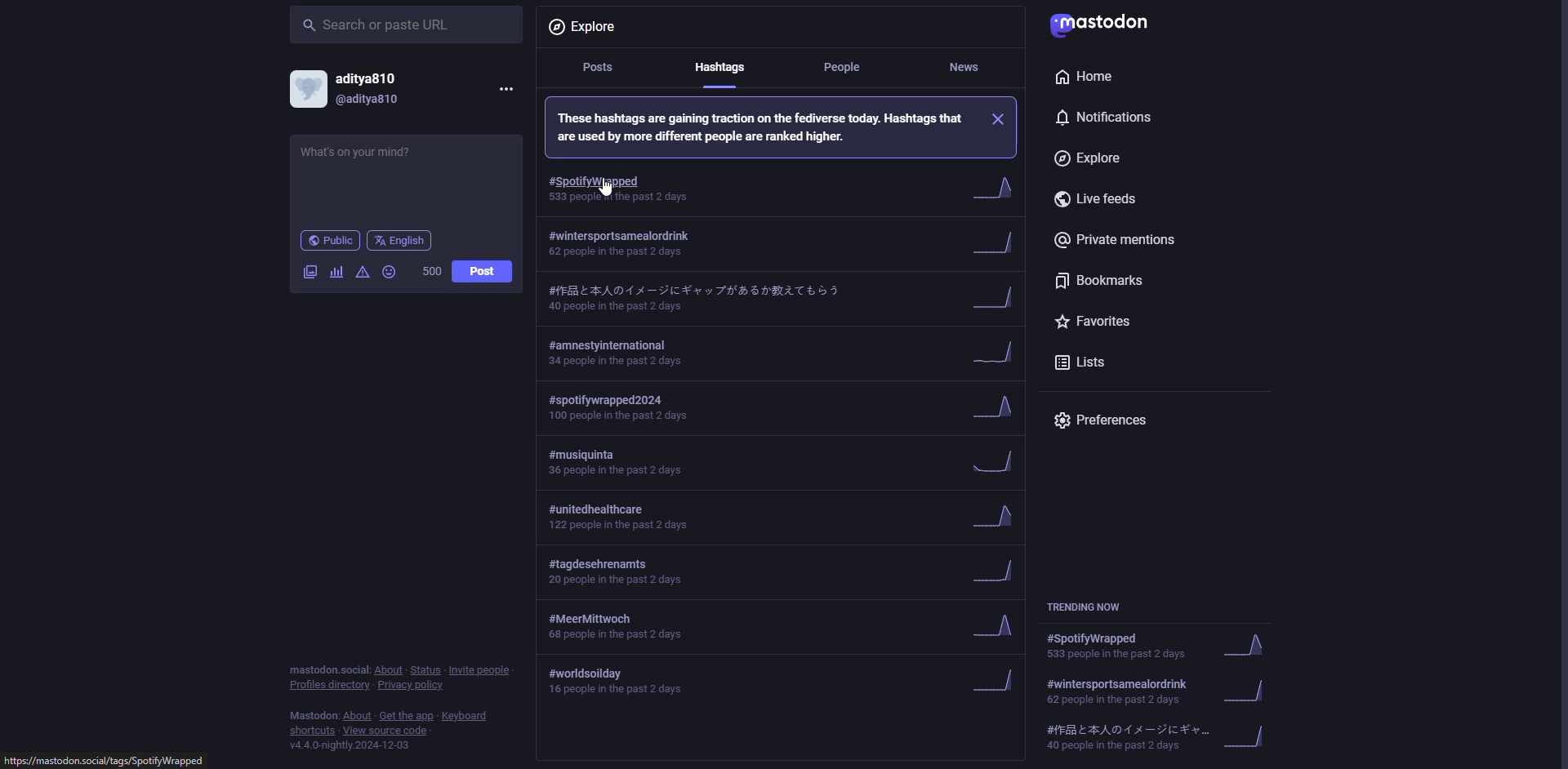 Image resolution: width=1568 pixels, height=769 pixels. I want to click on search, so click(383, 25).